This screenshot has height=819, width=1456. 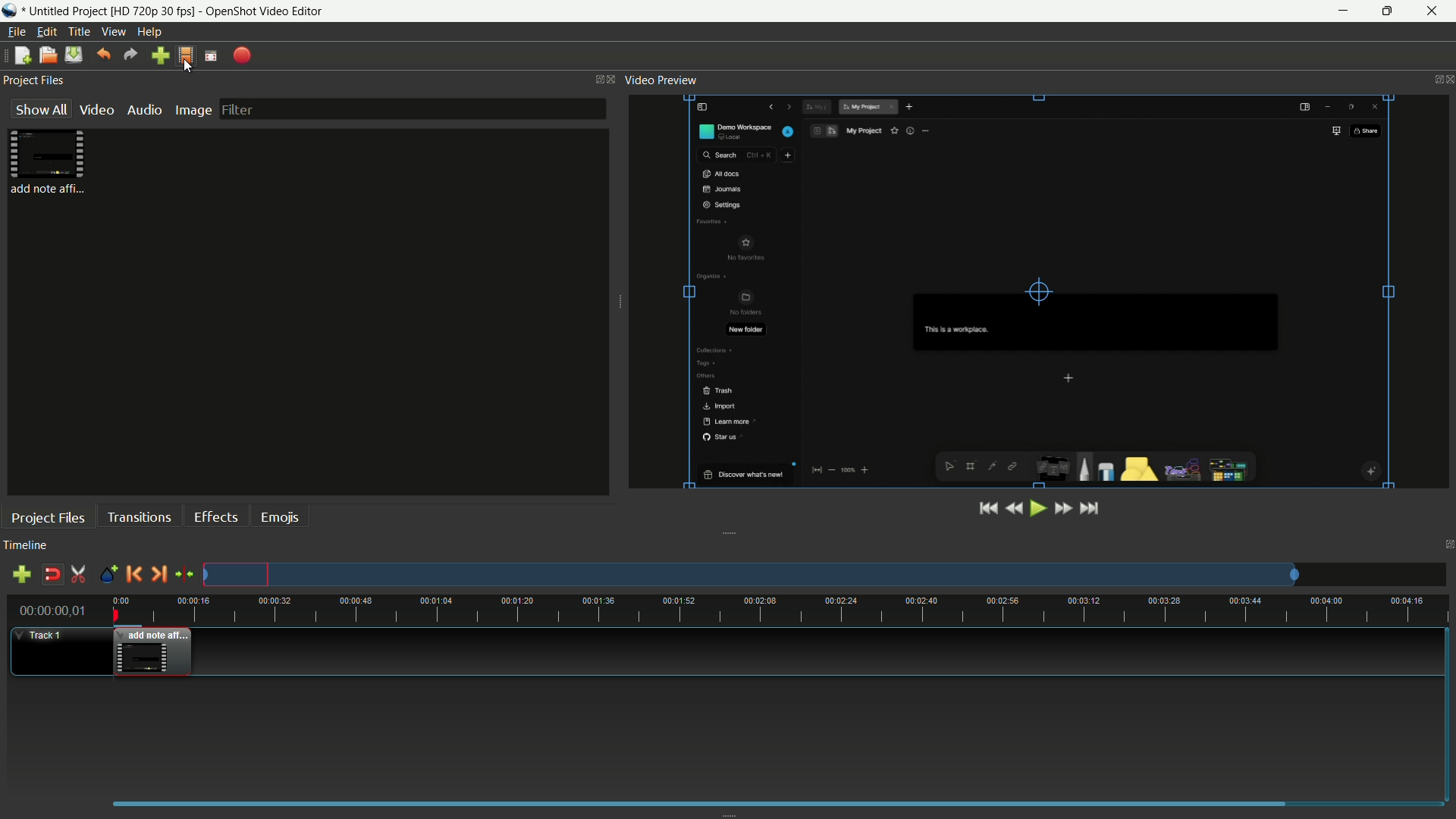 What do you see at coordinates (113, 33) in the screenshot?
I see `view menu` at bounding box center [113, 33].